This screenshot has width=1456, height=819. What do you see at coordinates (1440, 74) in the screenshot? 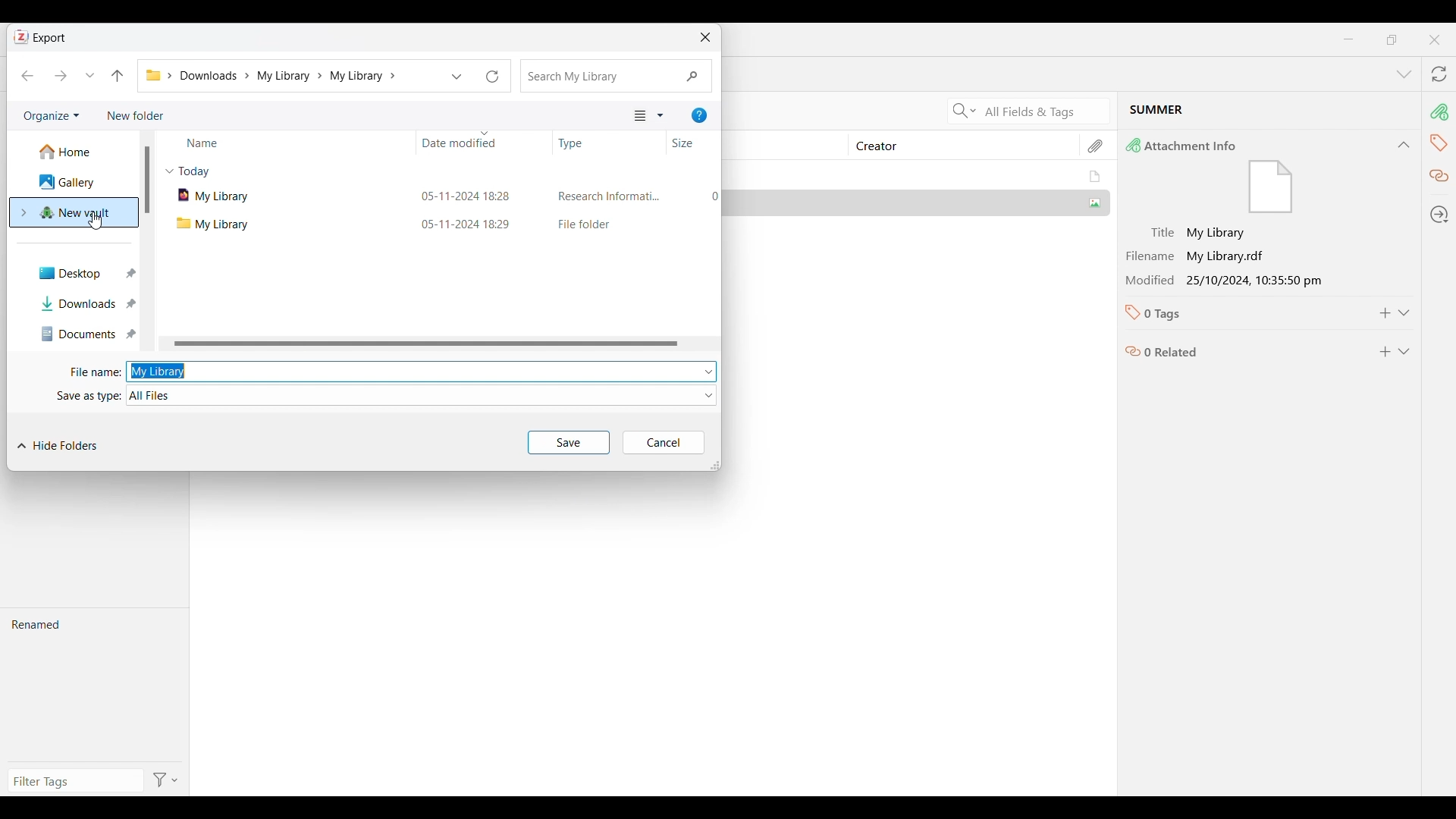
I see `Sync with zotero.org` at bounding box center [1440, 74].